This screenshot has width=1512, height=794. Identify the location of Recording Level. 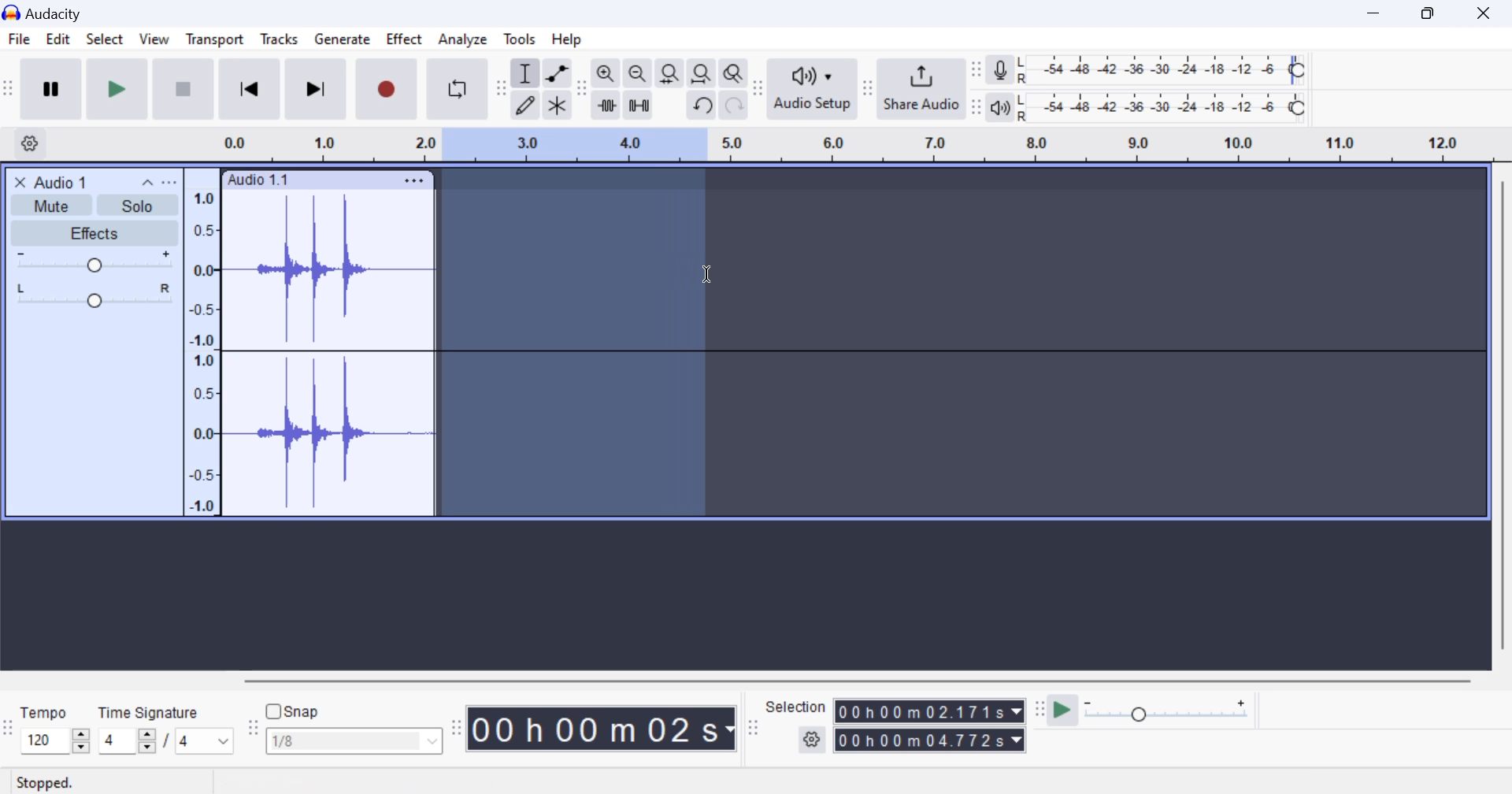
(1162, 70).